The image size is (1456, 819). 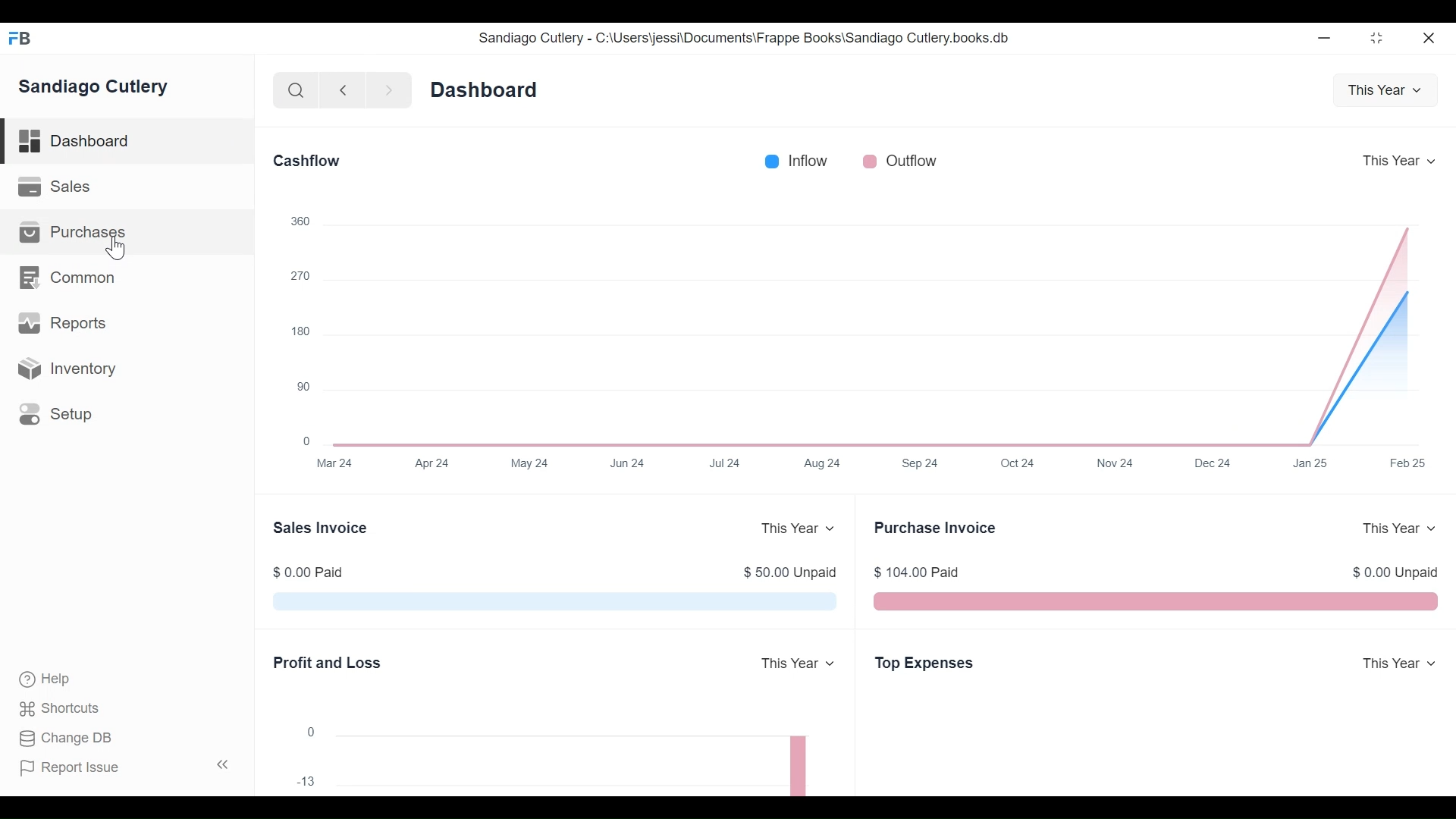 I want to click on Naviagate back, so click(x=344, y=89).